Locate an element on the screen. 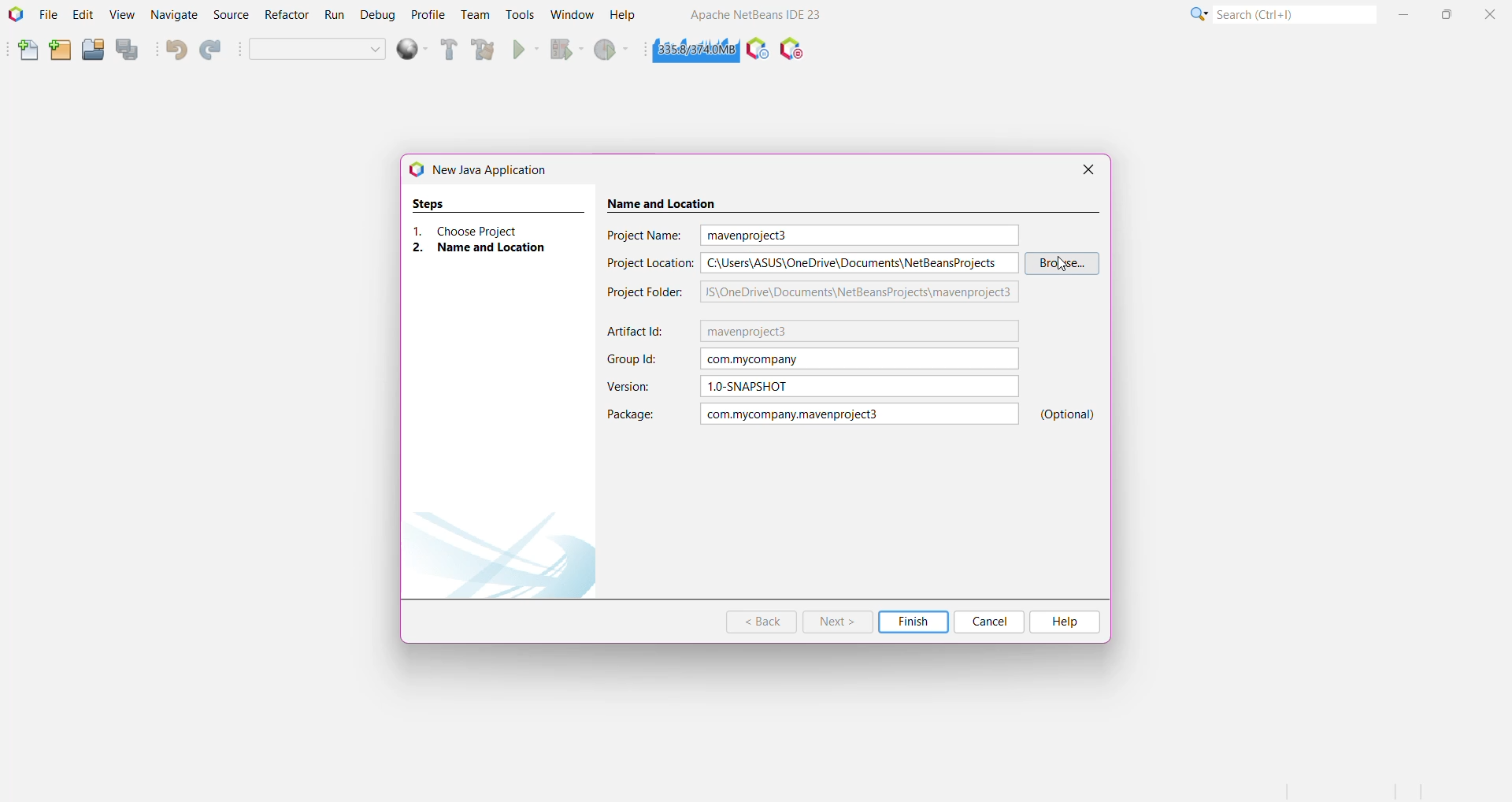 This screenshot has width=1512, height=802. Help is located at coordinates (1065, 621).